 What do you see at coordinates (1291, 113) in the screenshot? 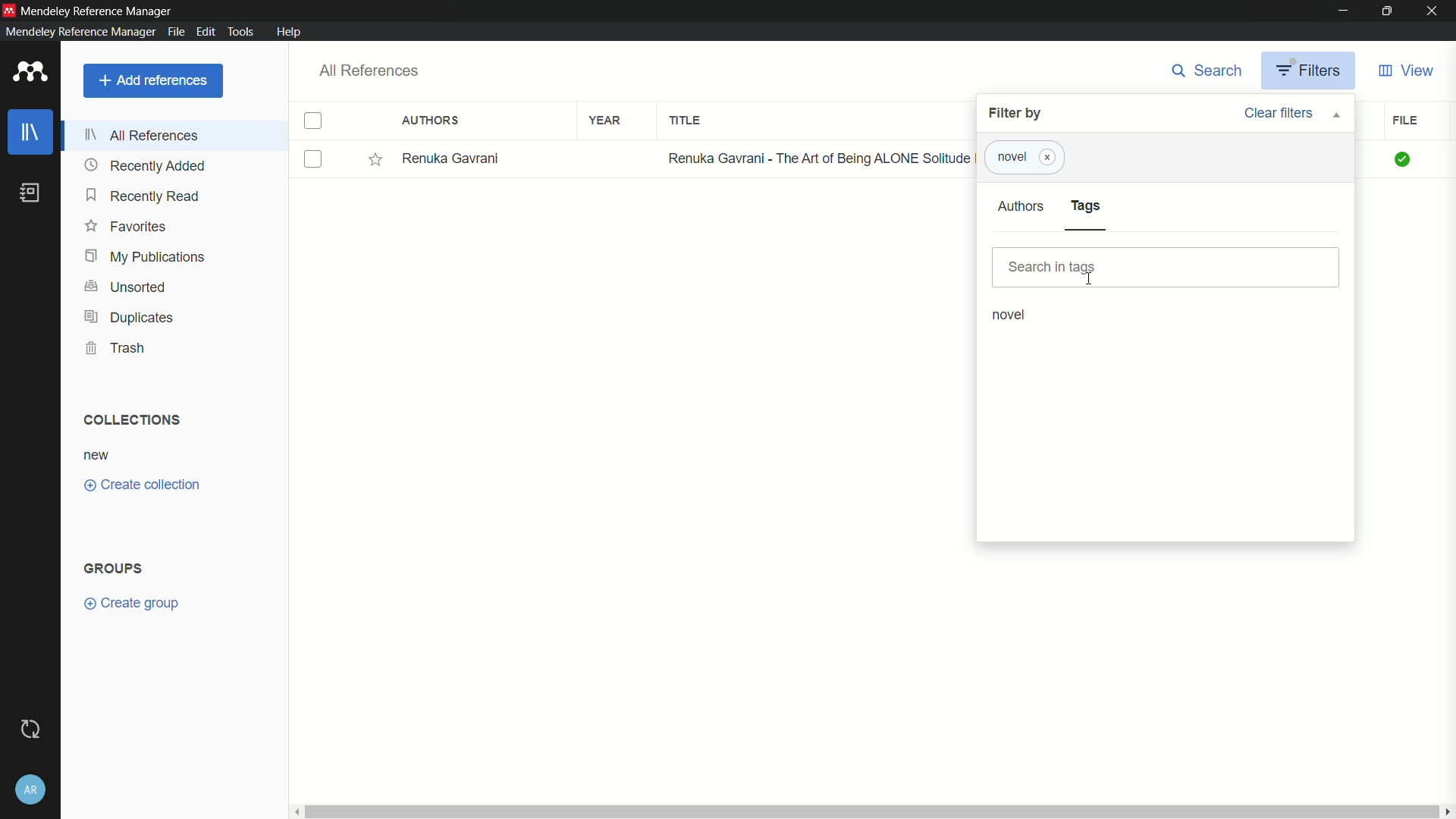
I see `clear filters` at bounding box center [1291, 113].